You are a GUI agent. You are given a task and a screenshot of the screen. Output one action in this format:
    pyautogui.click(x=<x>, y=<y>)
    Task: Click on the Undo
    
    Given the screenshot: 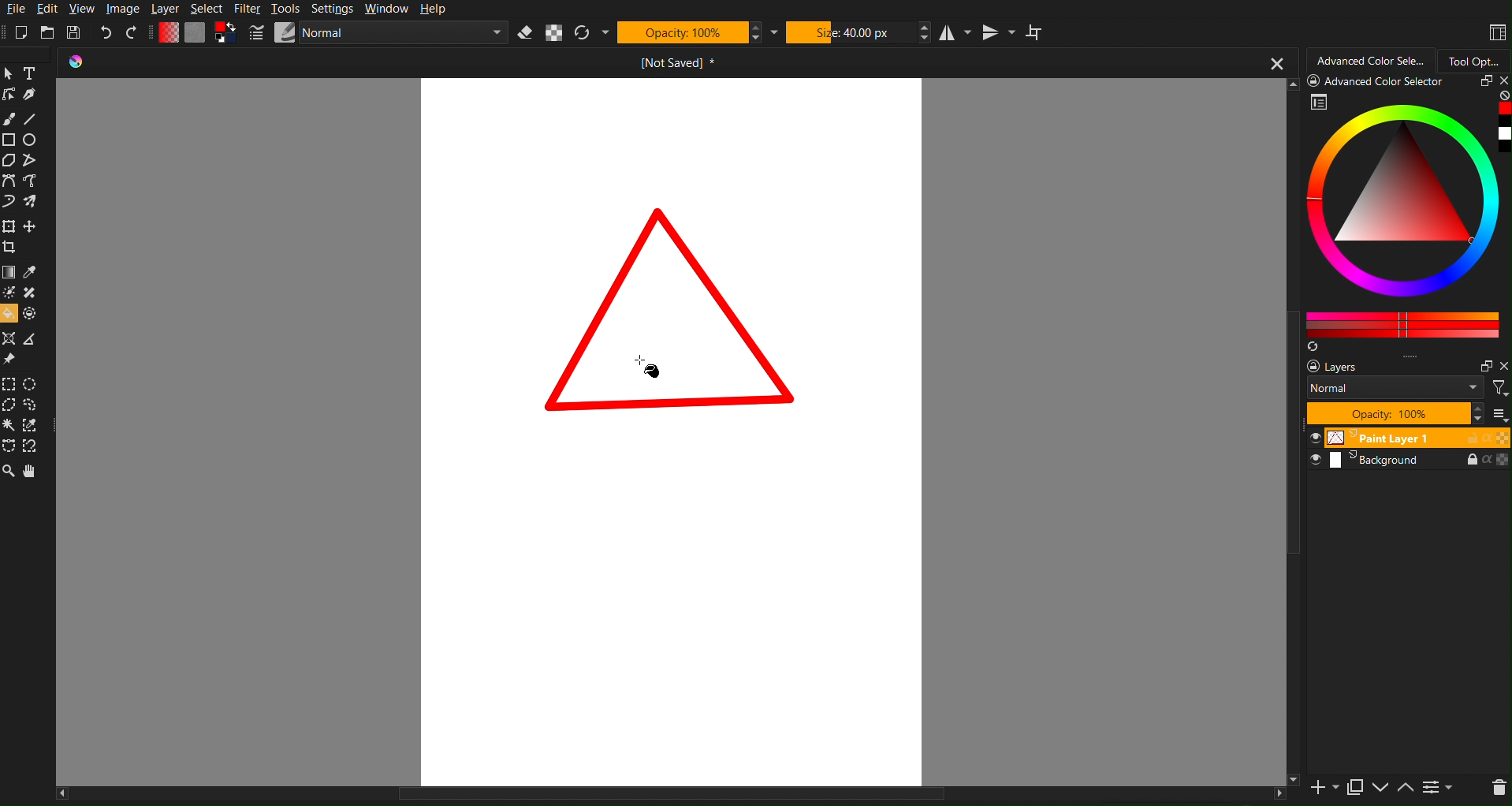 What is the action you would take?
    pyautogui.click(x=106, y=33)
    